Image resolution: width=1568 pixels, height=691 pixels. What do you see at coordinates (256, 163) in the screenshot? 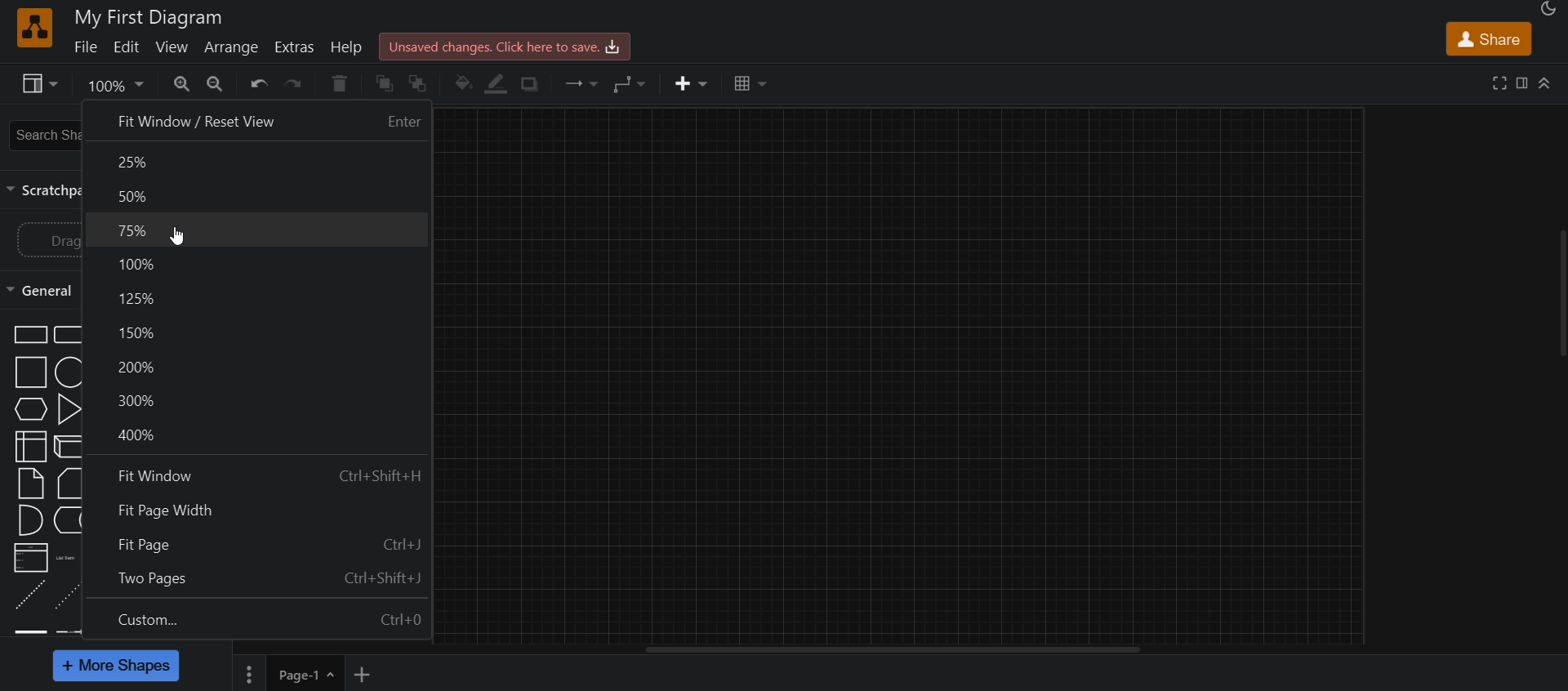
I see `25%` at bounding box center [256, 163].